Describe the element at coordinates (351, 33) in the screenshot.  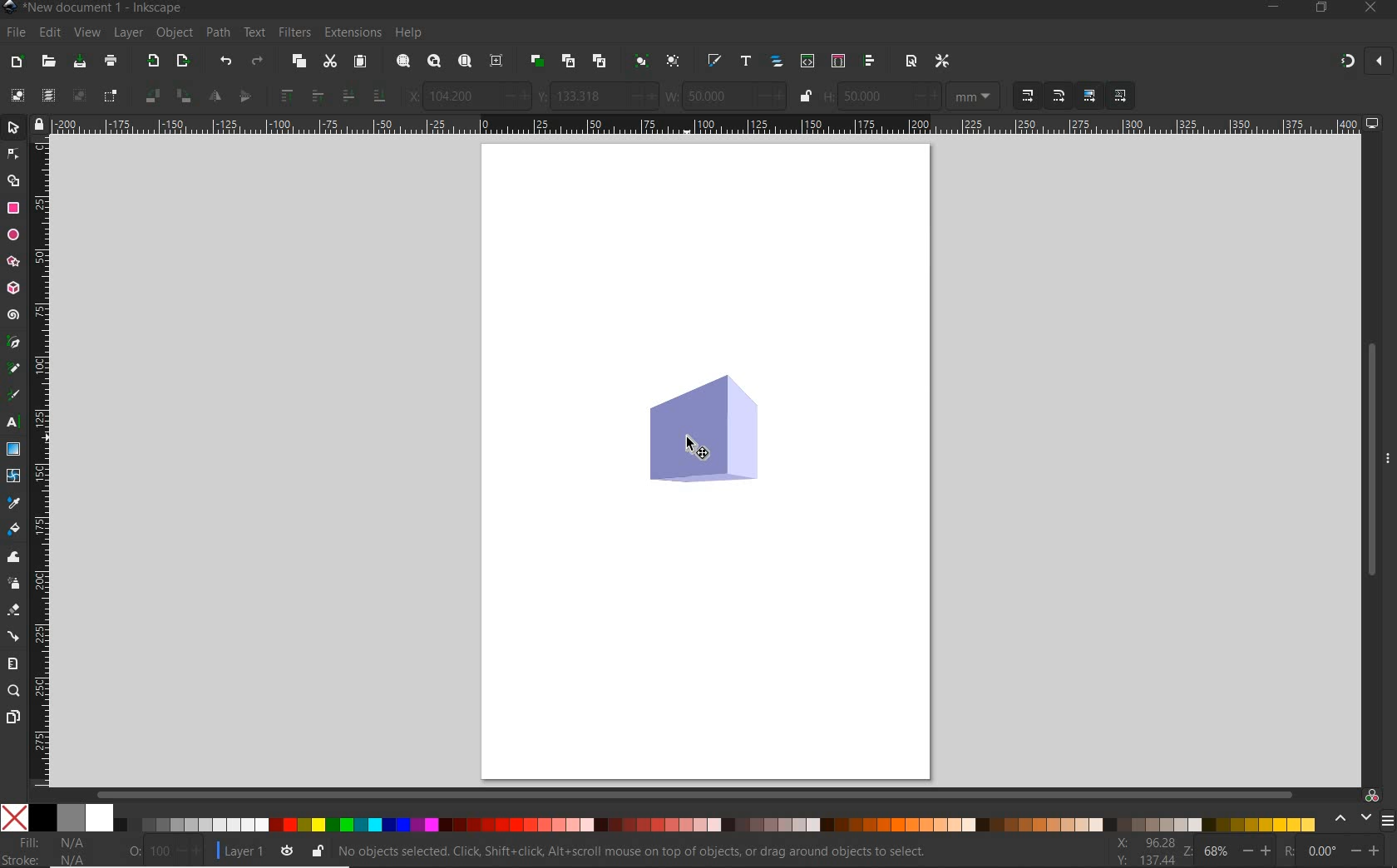
I see `extensions` at that location.